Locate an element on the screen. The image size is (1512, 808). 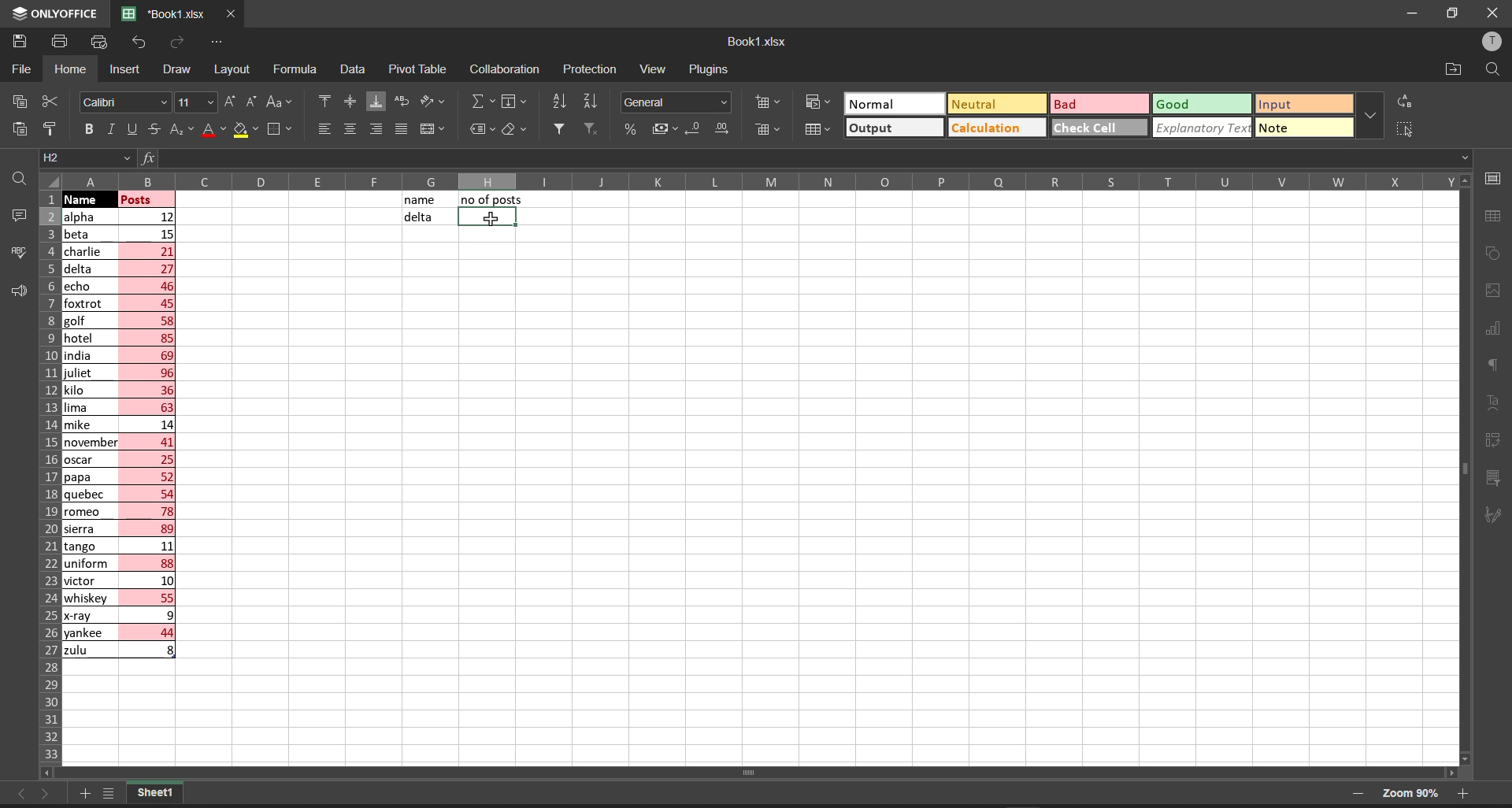
zoom in is located at coordinates (1466, 795).